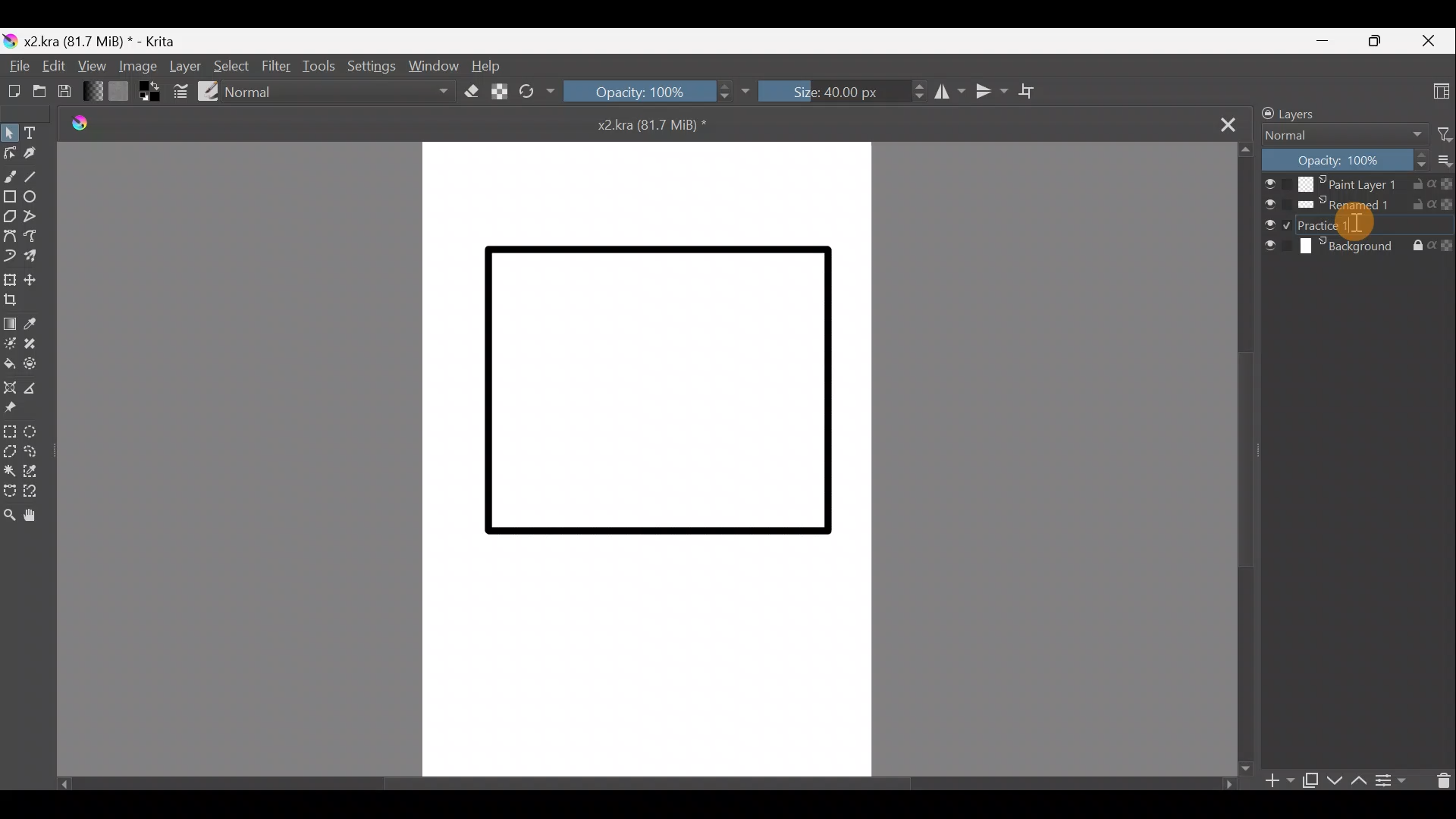  Describe the element at coordinates (33, 472) in the screenshot. I see `Similar colour selection tool` at that location.